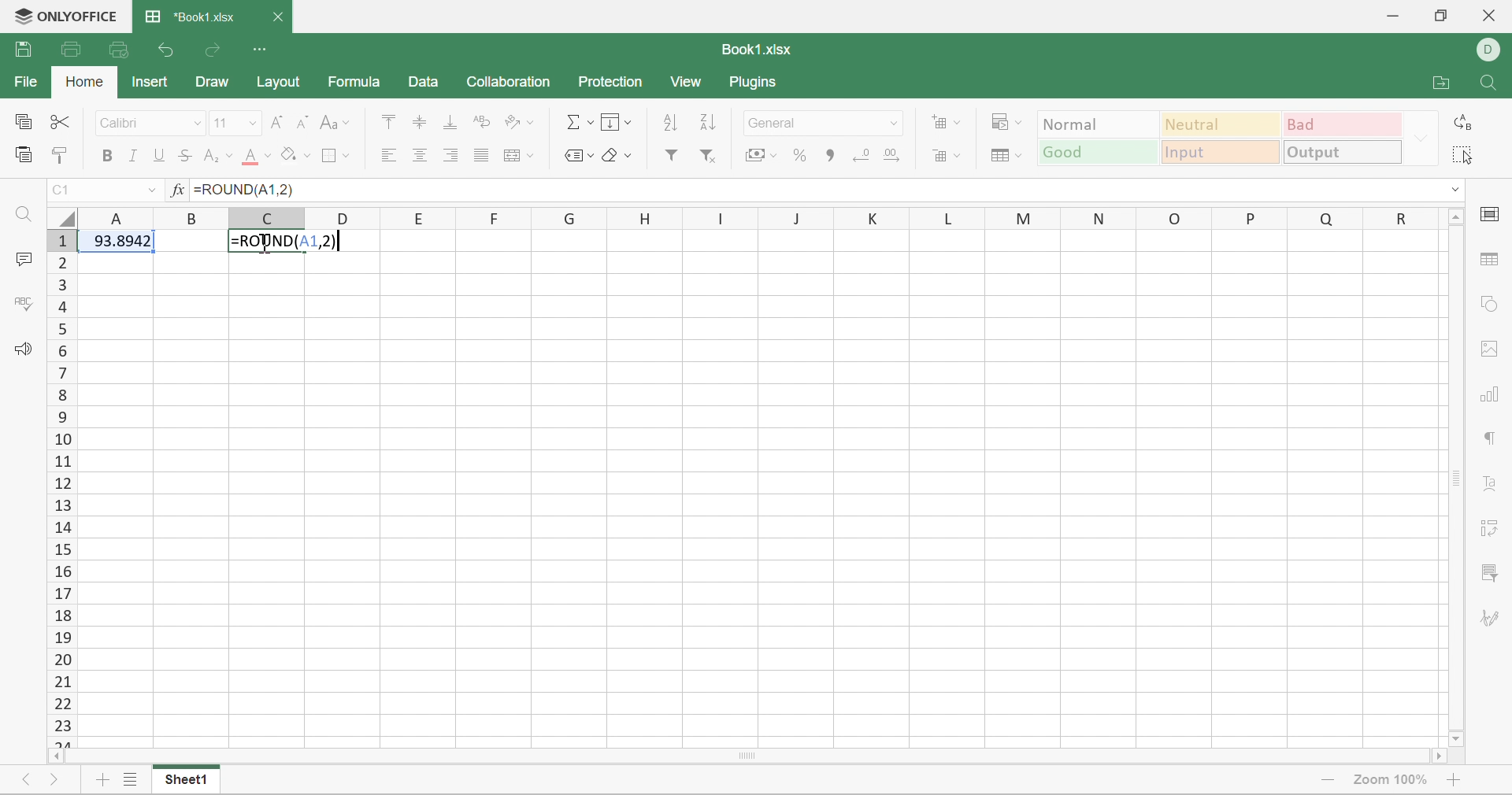 The width and height of the screenshot is (1512, 795). Describe the element at coordinates (53, 782) in the screenshot. I see `Next` at that location.